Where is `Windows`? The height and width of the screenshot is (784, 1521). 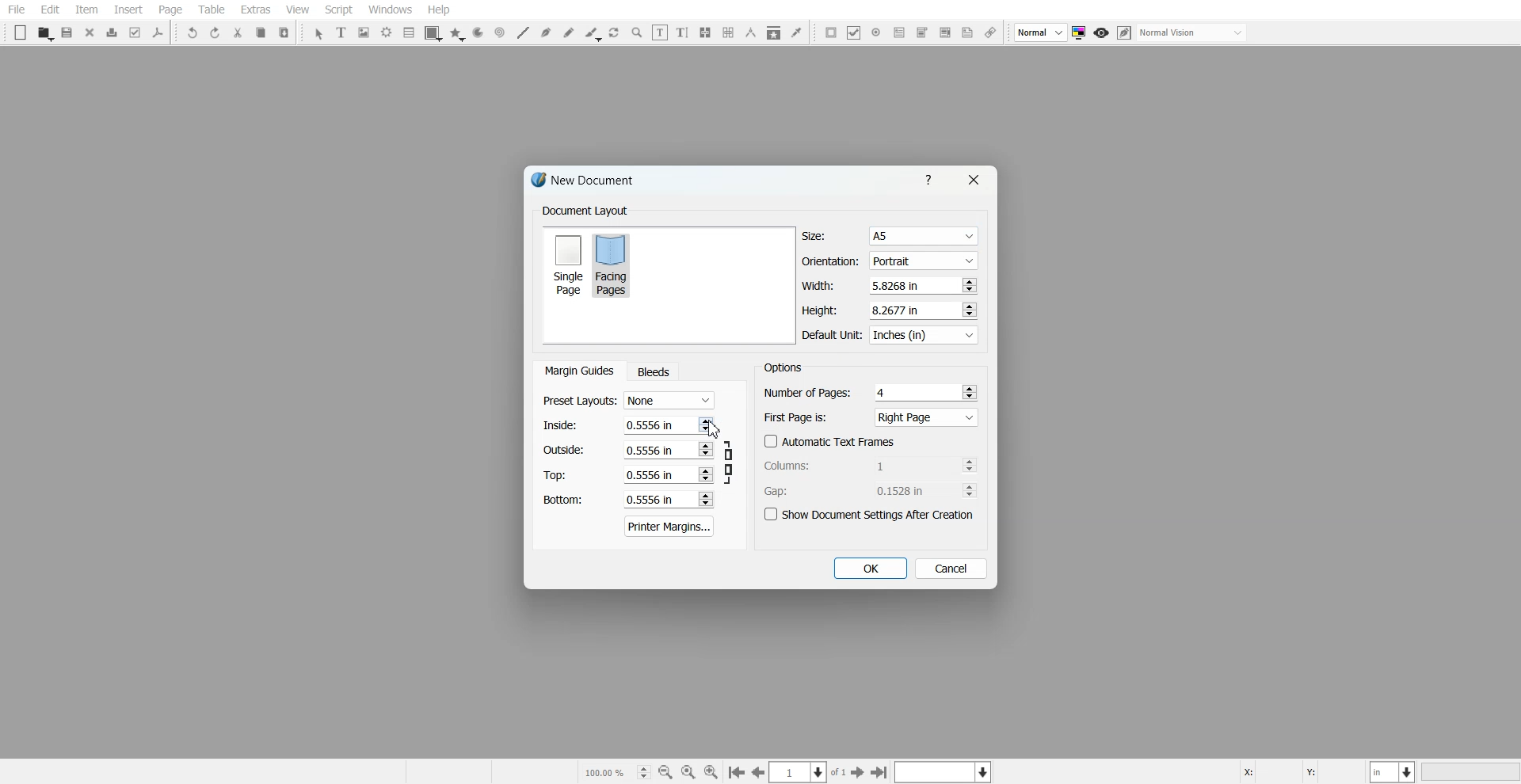 Windows is located at coordinates (391, 10).